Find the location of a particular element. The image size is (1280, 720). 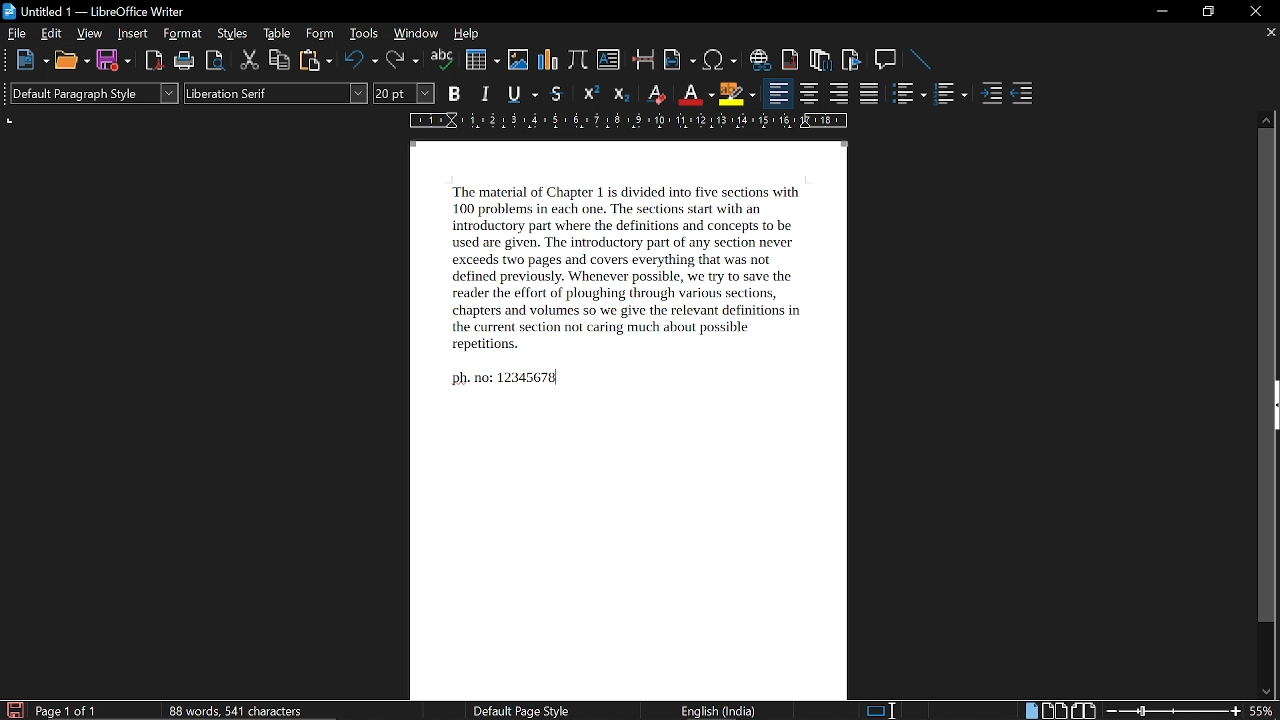

tools is located at coordinates (363, 35).